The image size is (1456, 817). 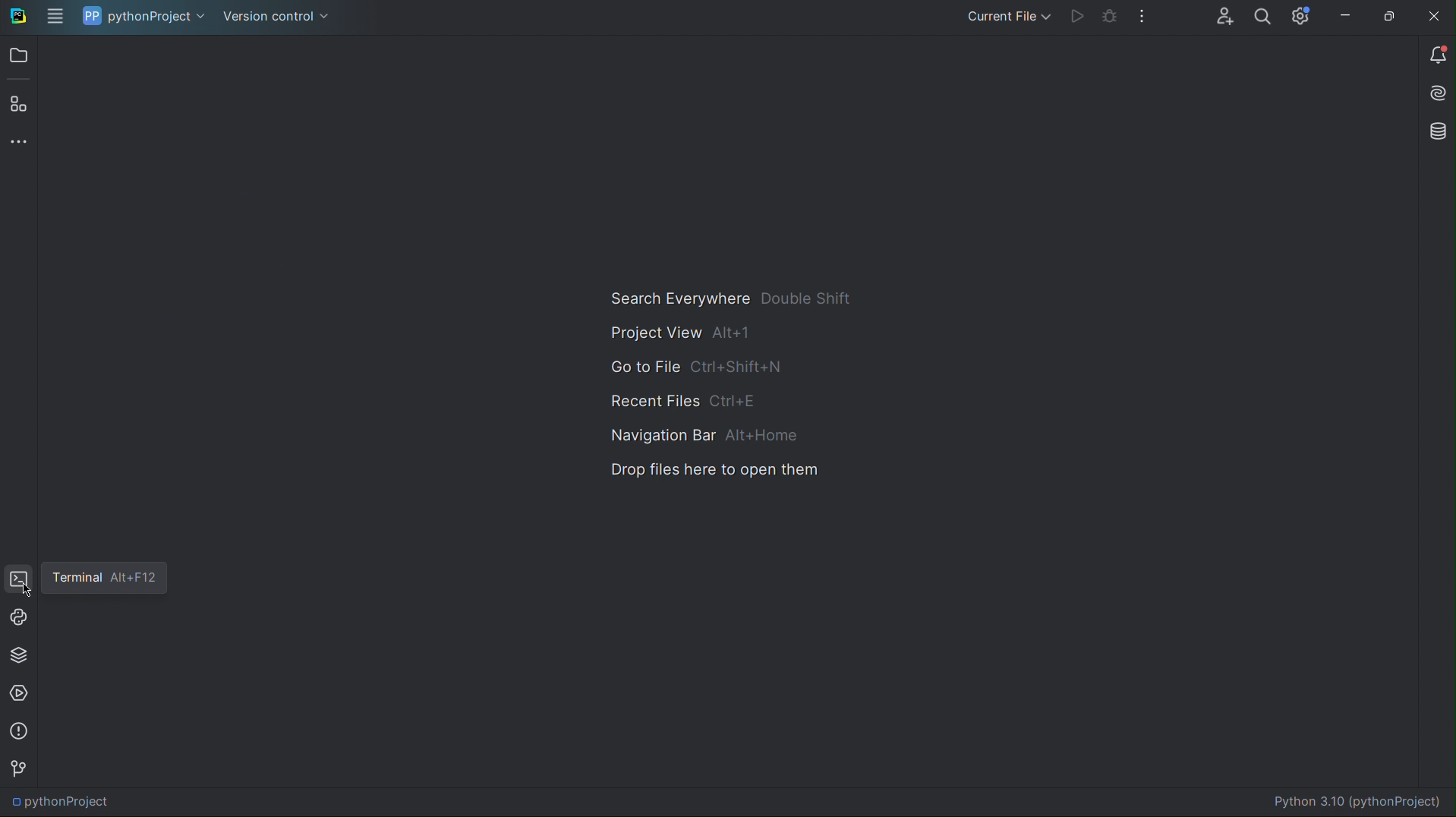 What do you see at coordinates (678, 332) in the screenshot?
I see `Project View` at bounding box center [678, 332].